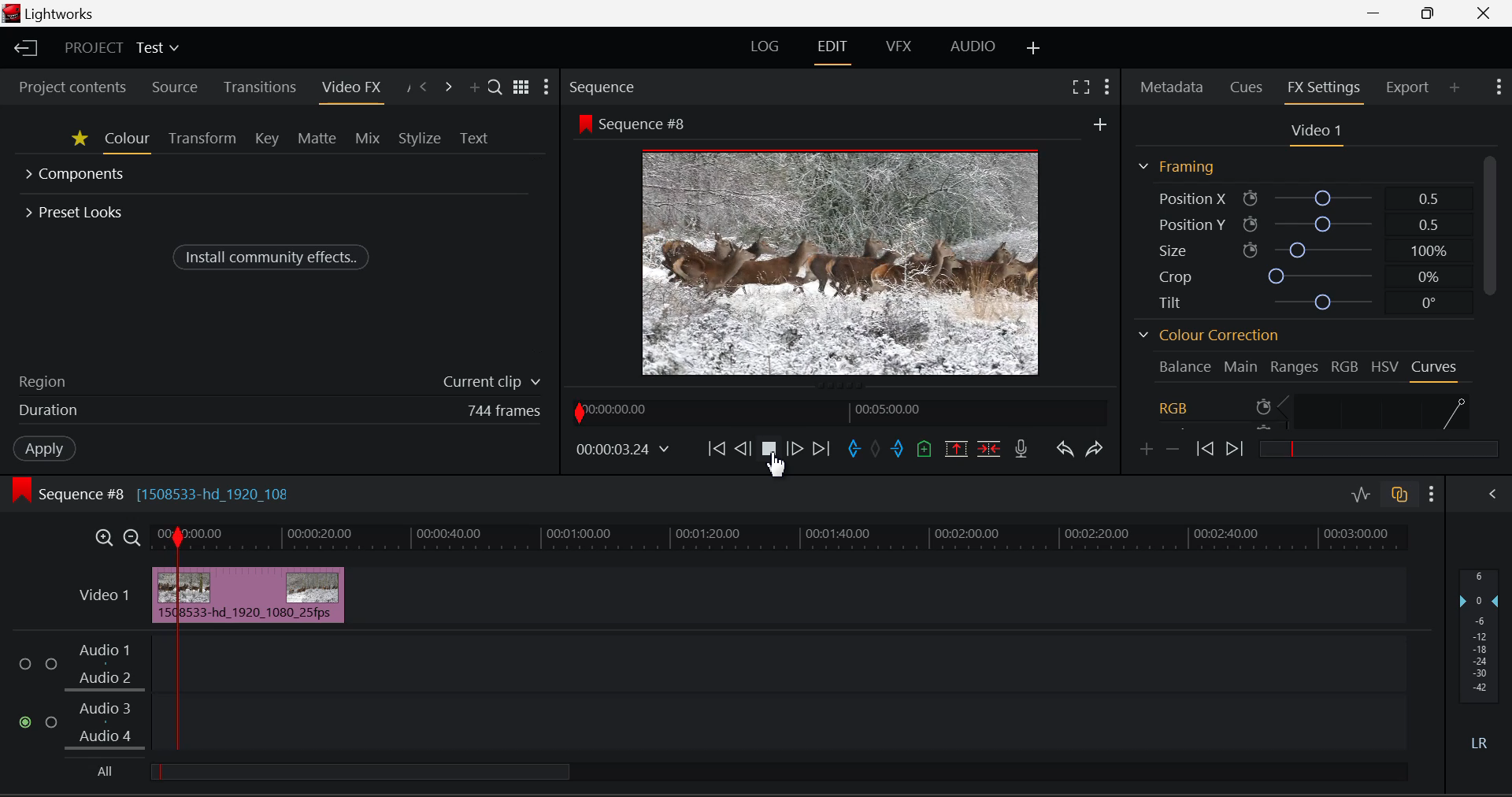  Describe the element at coordinates (1455, 87) in the screenshot. I see `Add Panel` at that location.